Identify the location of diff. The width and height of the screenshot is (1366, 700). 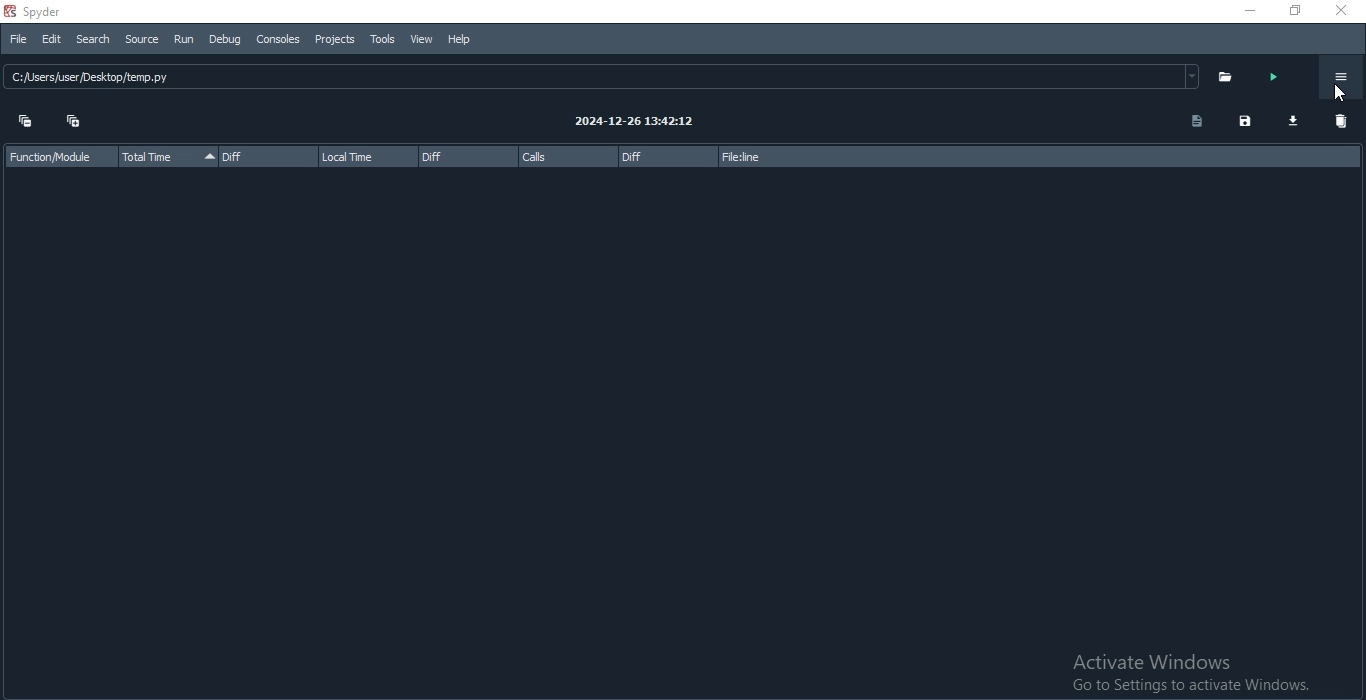
(466, 156).